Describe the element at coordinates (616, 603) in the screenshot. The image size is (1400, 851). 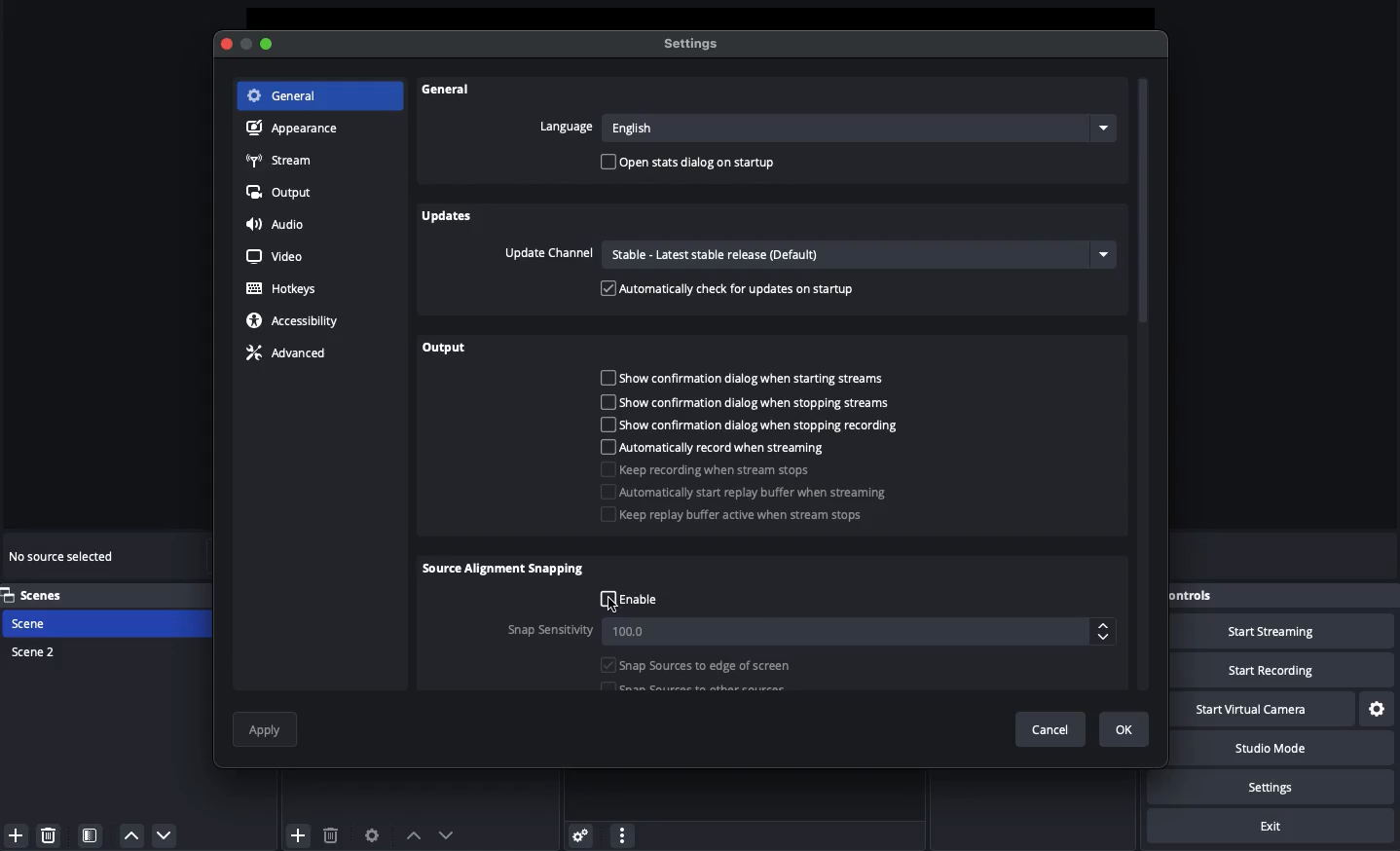
I see `Cursor` at that location.